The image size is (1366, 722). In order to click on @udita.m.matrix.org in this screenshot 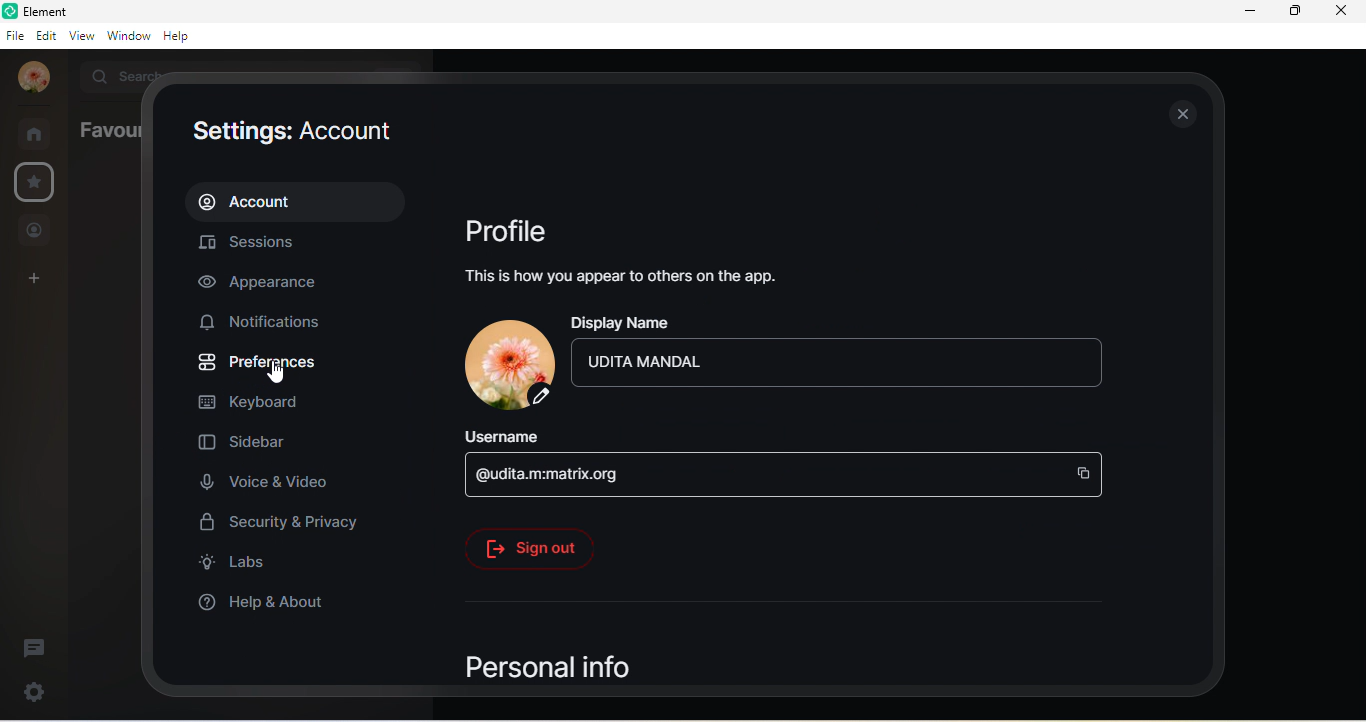, I will do `click(788, 479)`.